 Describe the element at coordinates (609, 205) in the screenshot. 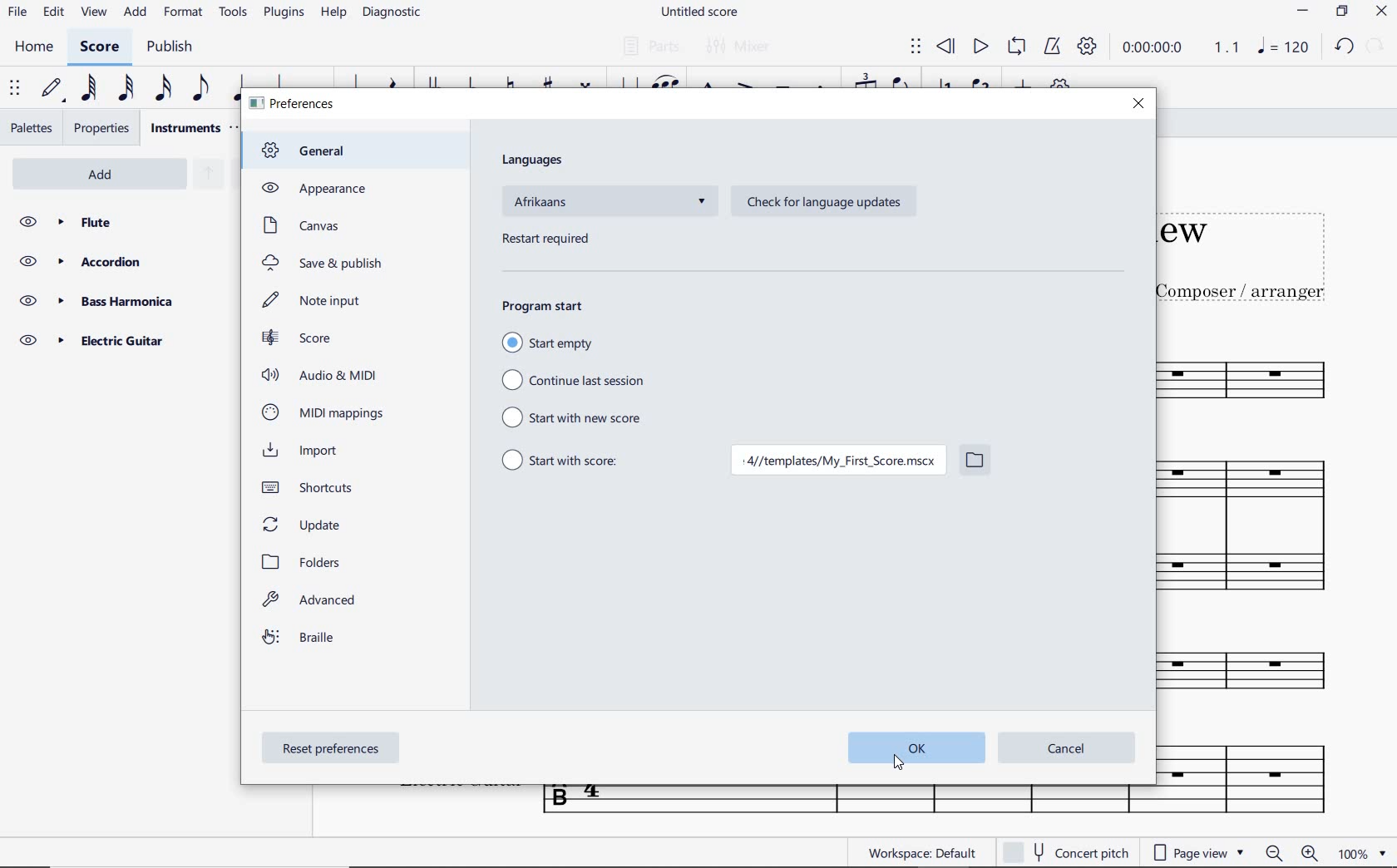

I see `afrikaans` at that location.